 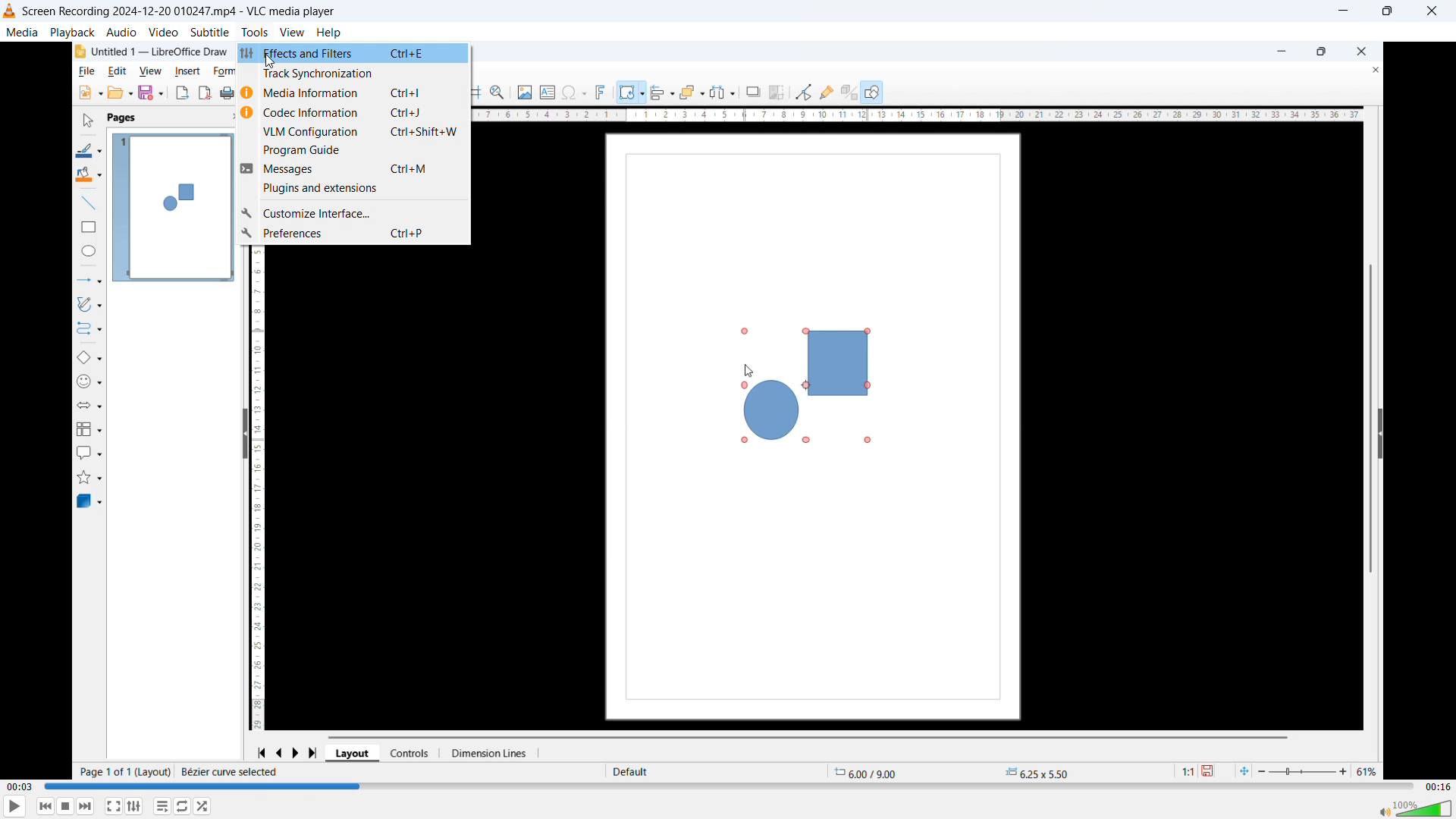 What do you see at coordinates (44, 806) in the screenshot?
I see `Backward or previous media ` at bounding box center [44, 806].